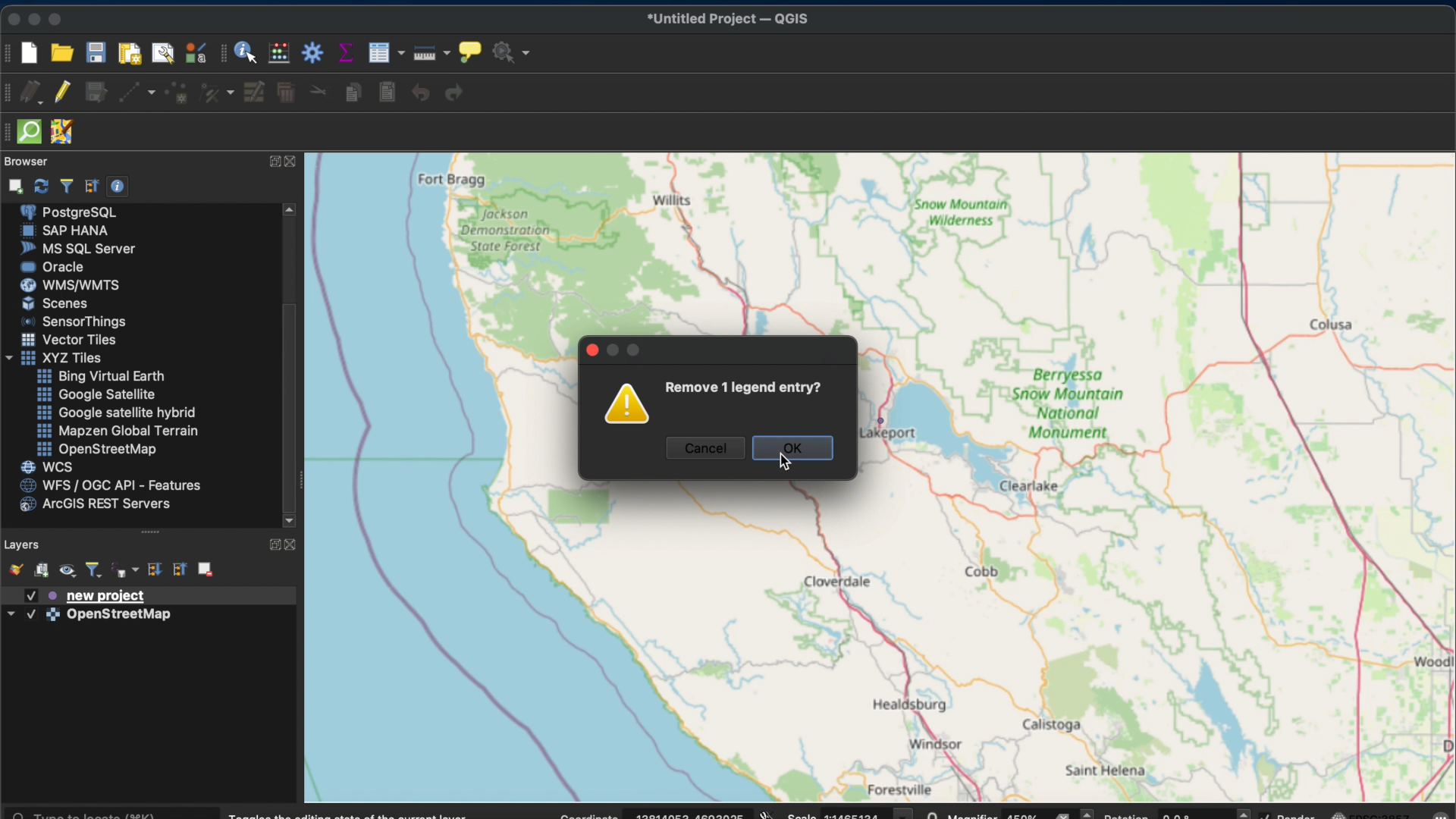 The height and width of the screenshot is (819, 1456). I want to click on redo, so click(453, 92).